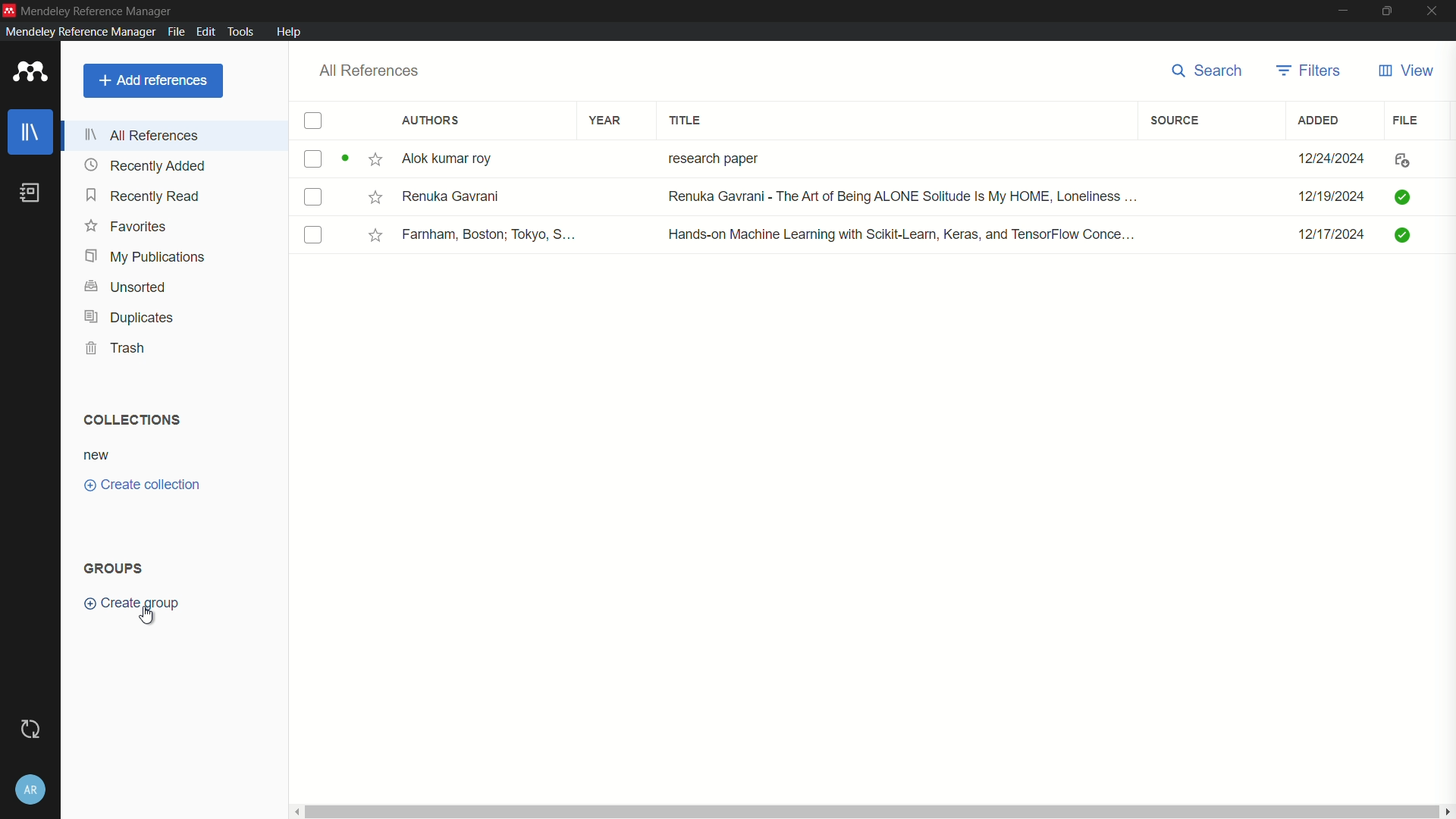 The width and height of the screenshot is (1456, 819). Describe the element at coordinates (119, 348) in the screenshot. I see `trash` at that location.